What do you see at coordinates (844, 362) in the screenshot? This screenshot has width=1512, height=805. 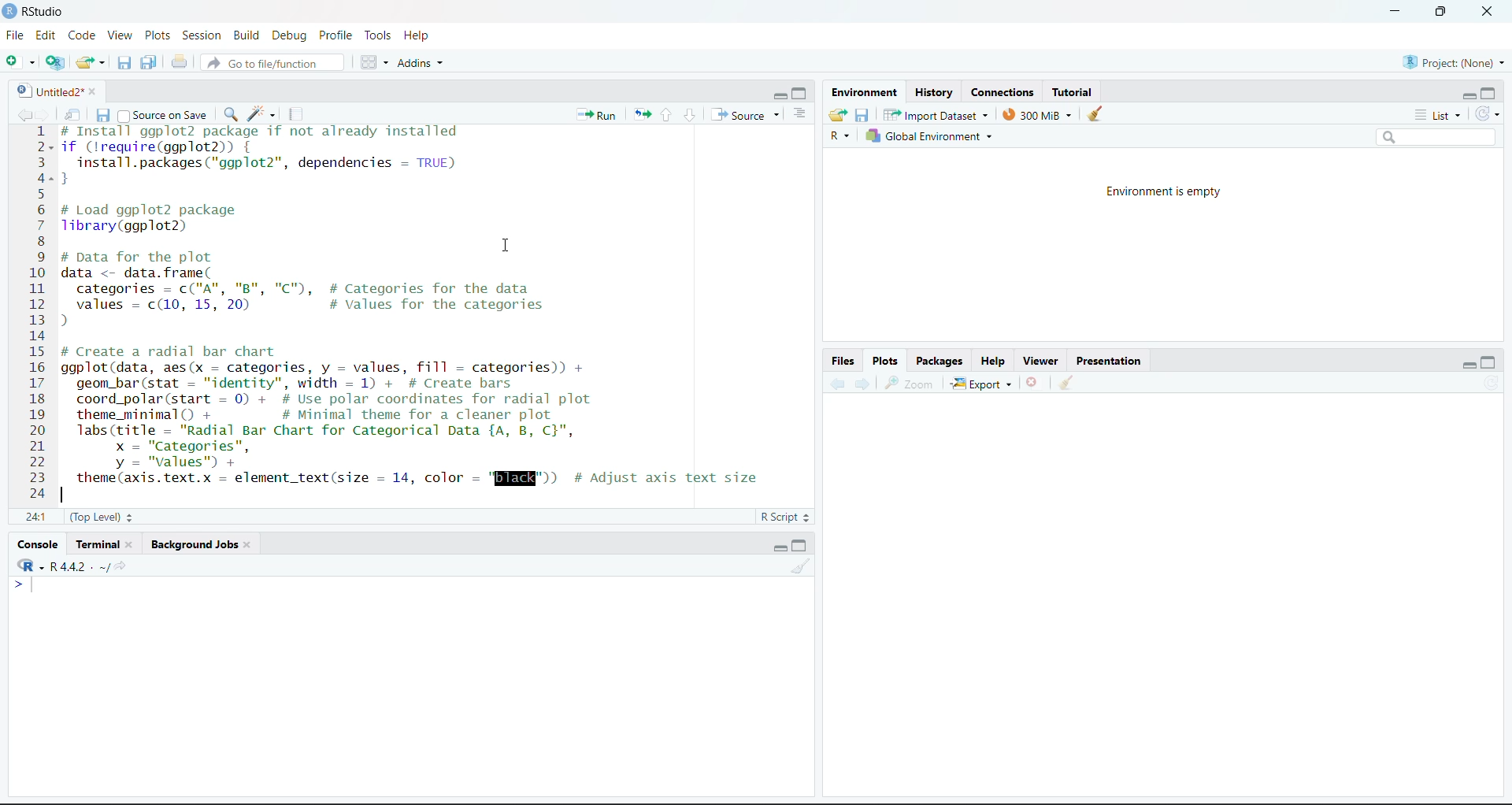 I see `Files` at bounding box center [844, 362].